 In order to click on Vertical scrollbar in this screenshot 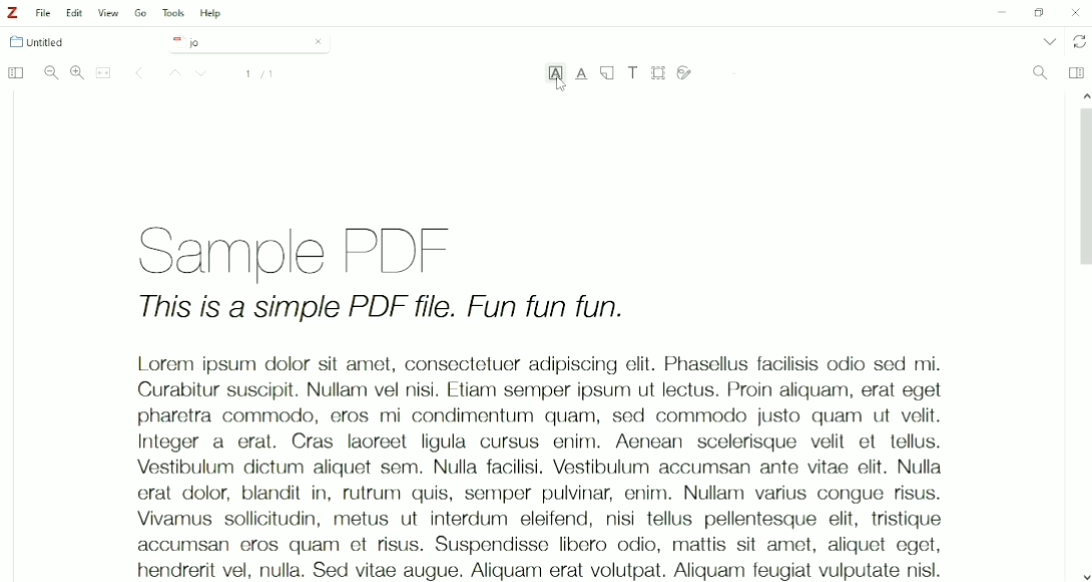, I will do `click(1082, 192)`.